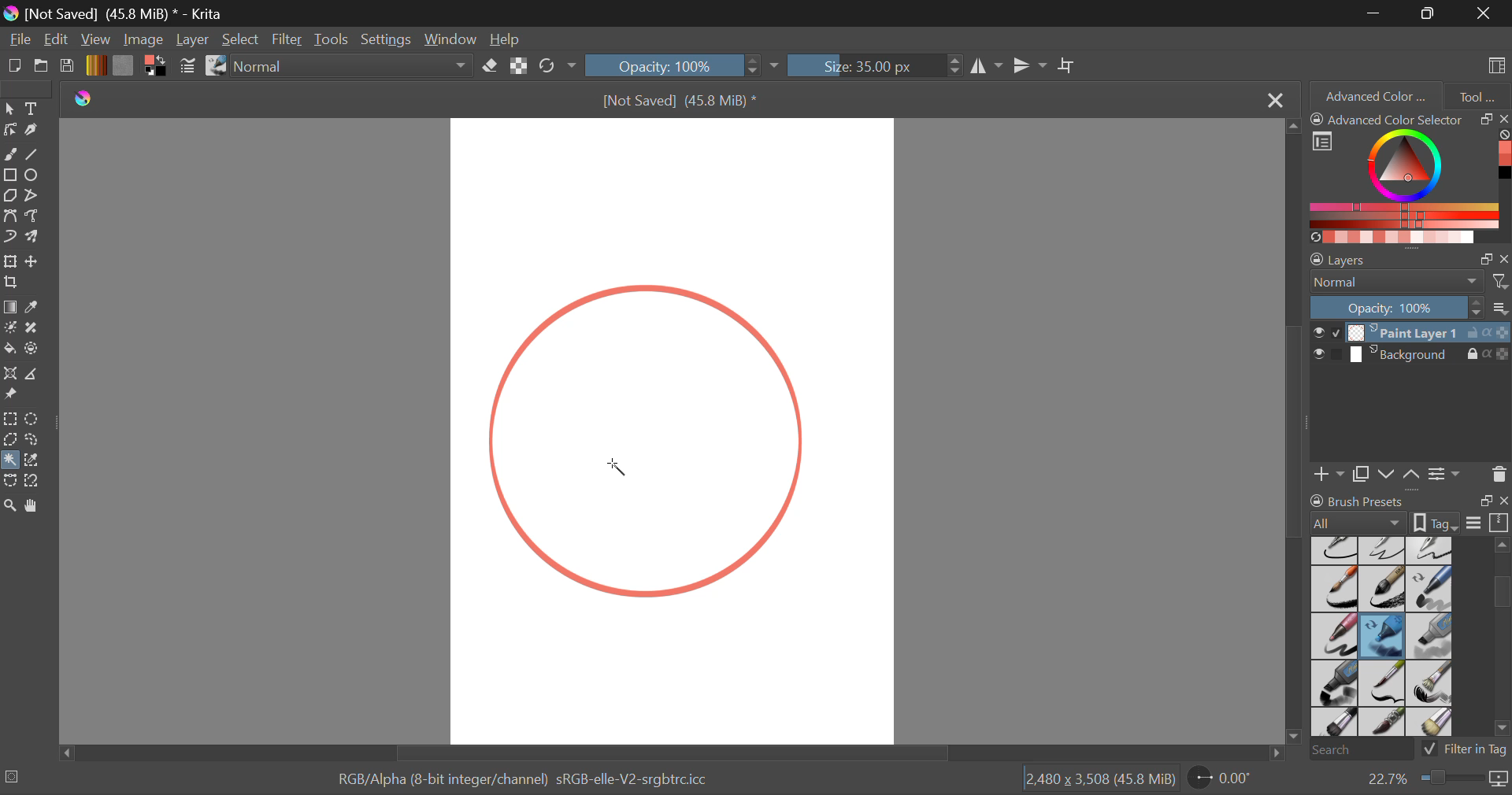 The height and width of the screenshot is (795, 1512). I want to click on , so click(57, 41).